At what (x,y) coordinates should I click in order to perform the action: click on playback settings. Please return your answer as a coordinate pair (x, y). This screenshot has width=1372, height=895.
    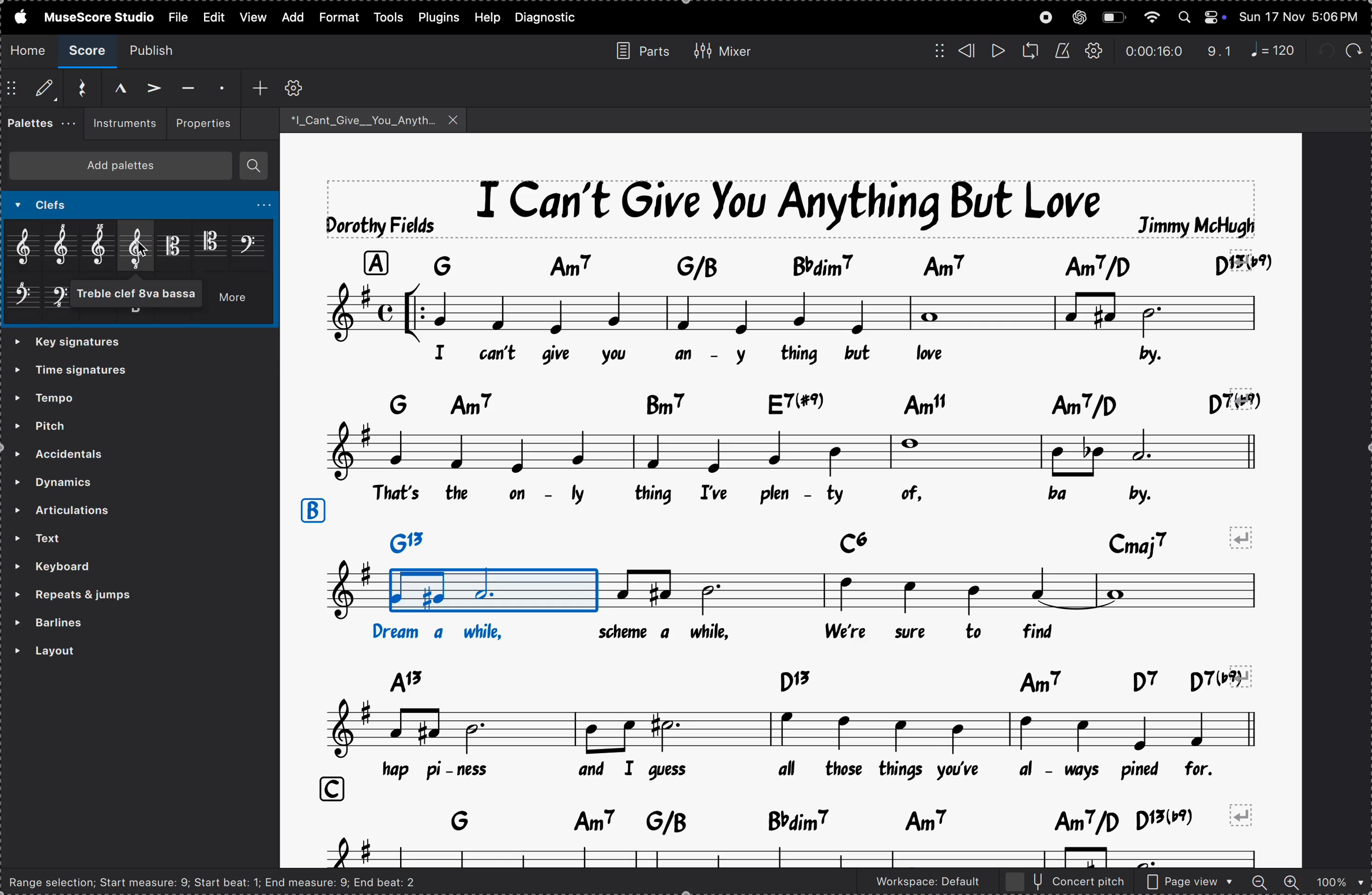
    Looking at the image, I should click on (1095, 51).